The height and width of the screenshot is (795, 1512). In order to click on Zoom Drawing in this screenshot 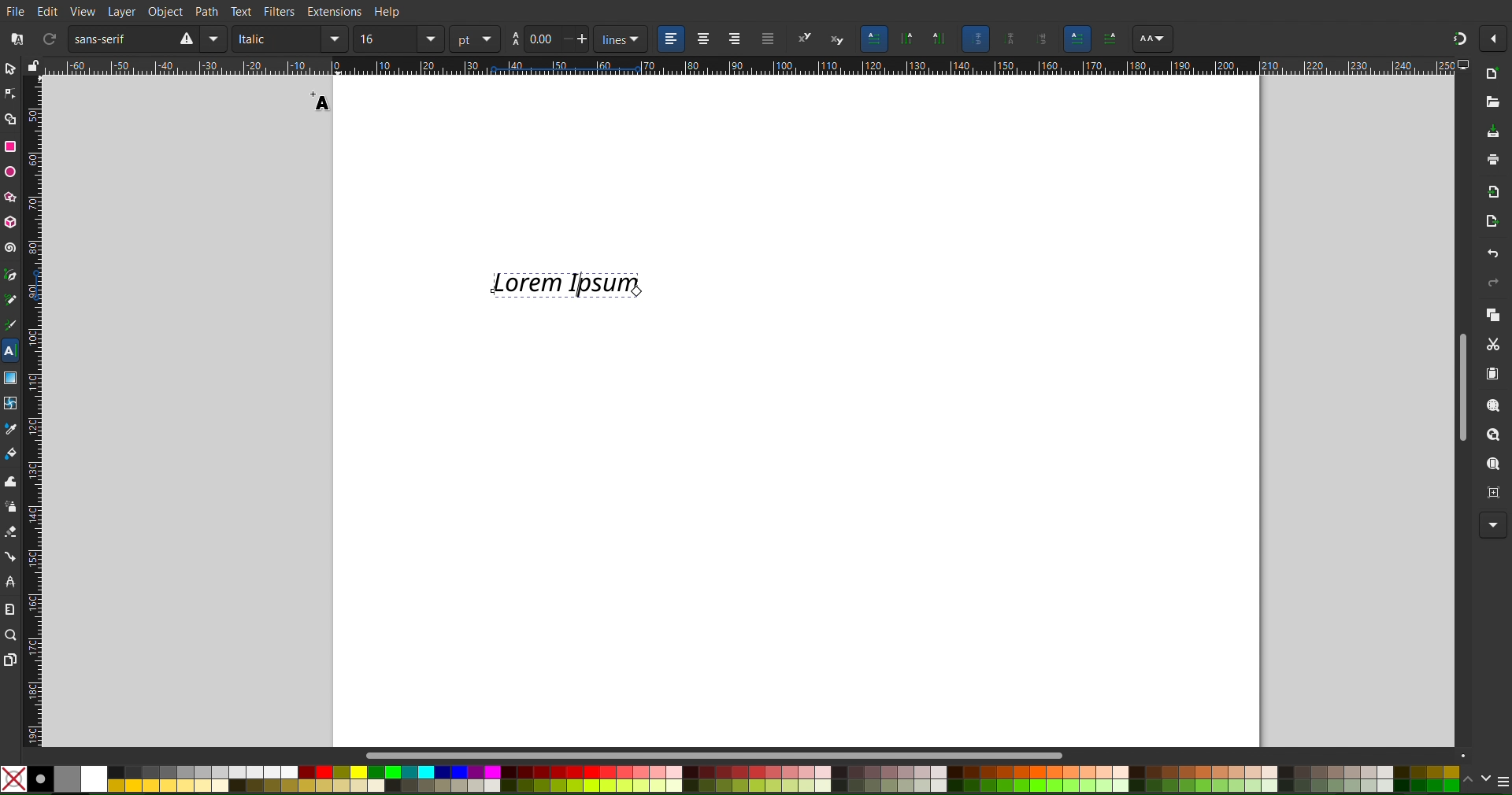, I will do `click(1488, 436)`.